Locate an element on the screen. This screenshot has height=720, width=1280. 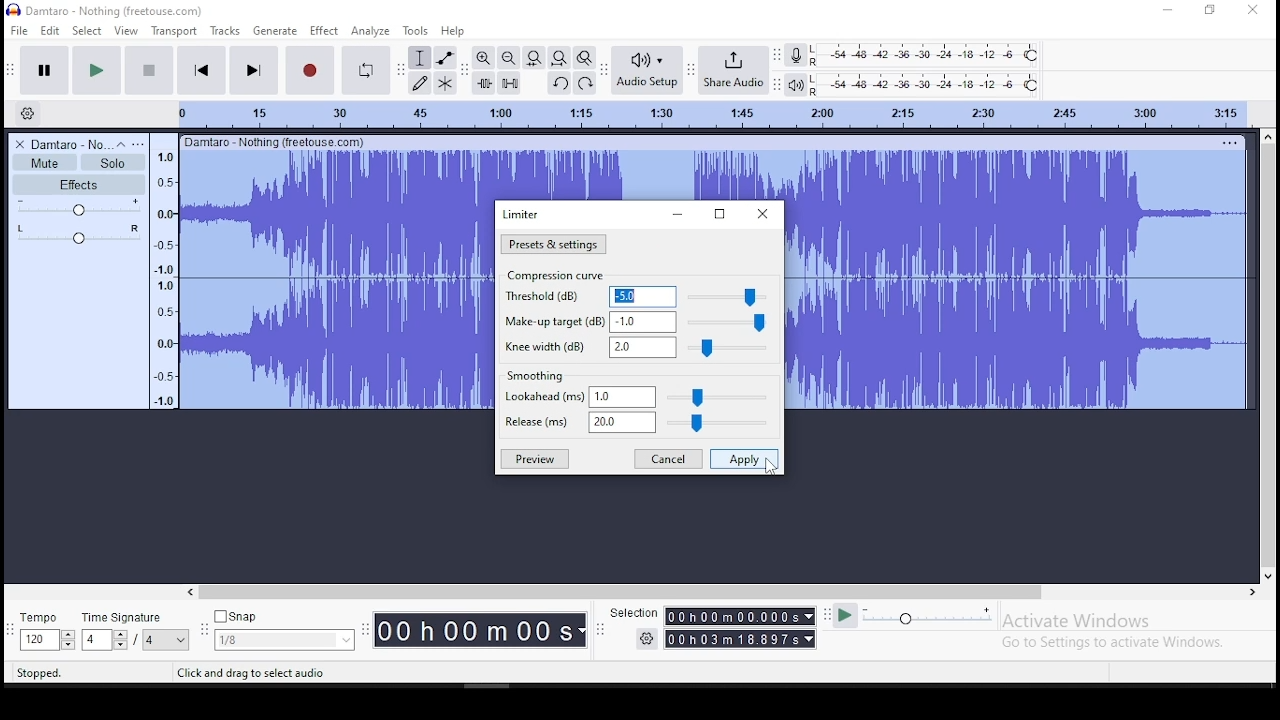
sound track is located at coordinates (545, 174).